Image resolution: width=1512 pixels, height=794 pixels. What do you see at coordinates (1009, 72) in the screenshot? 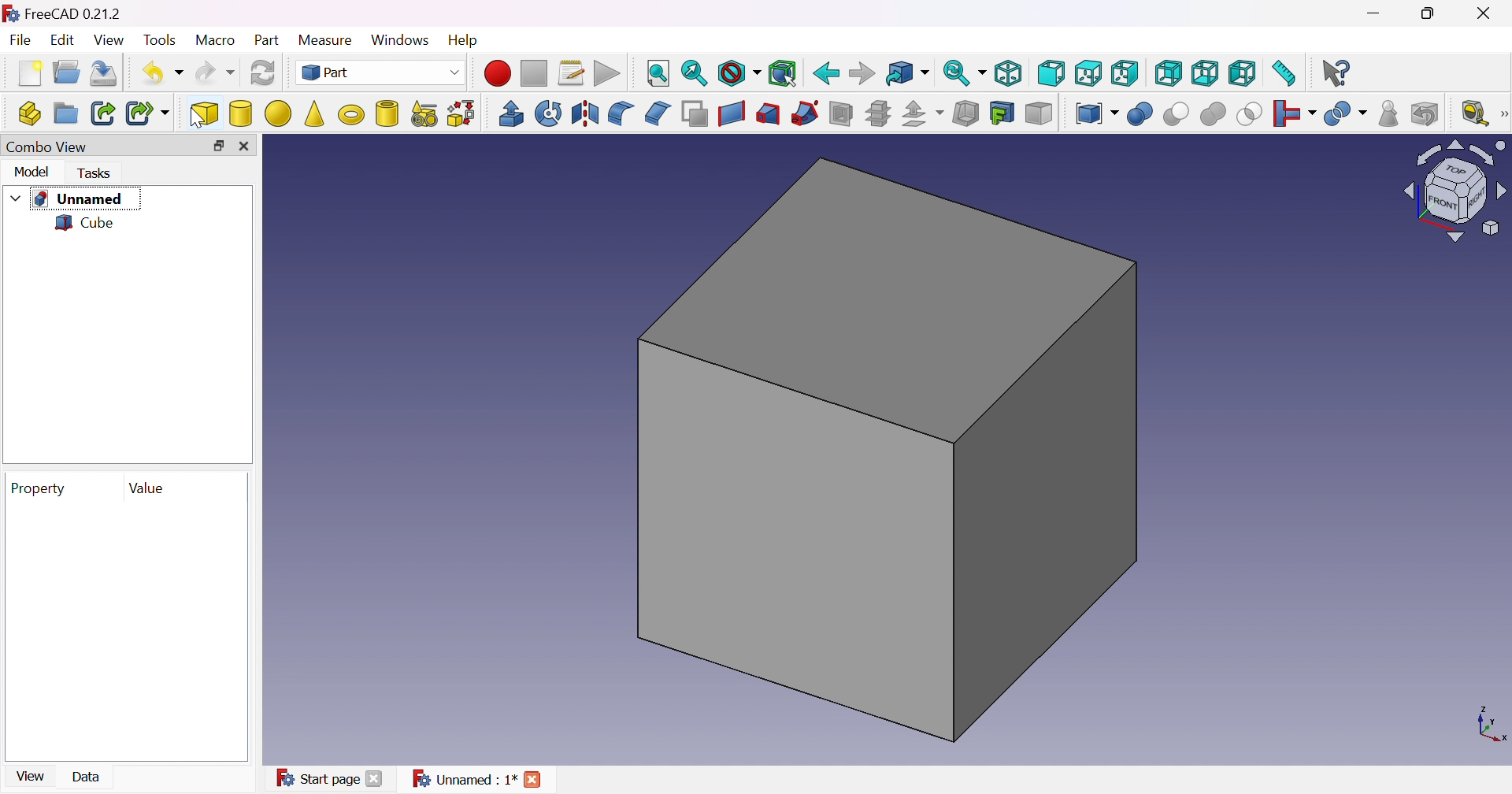
I see `Isometric` at bounding box center [1009, 72].